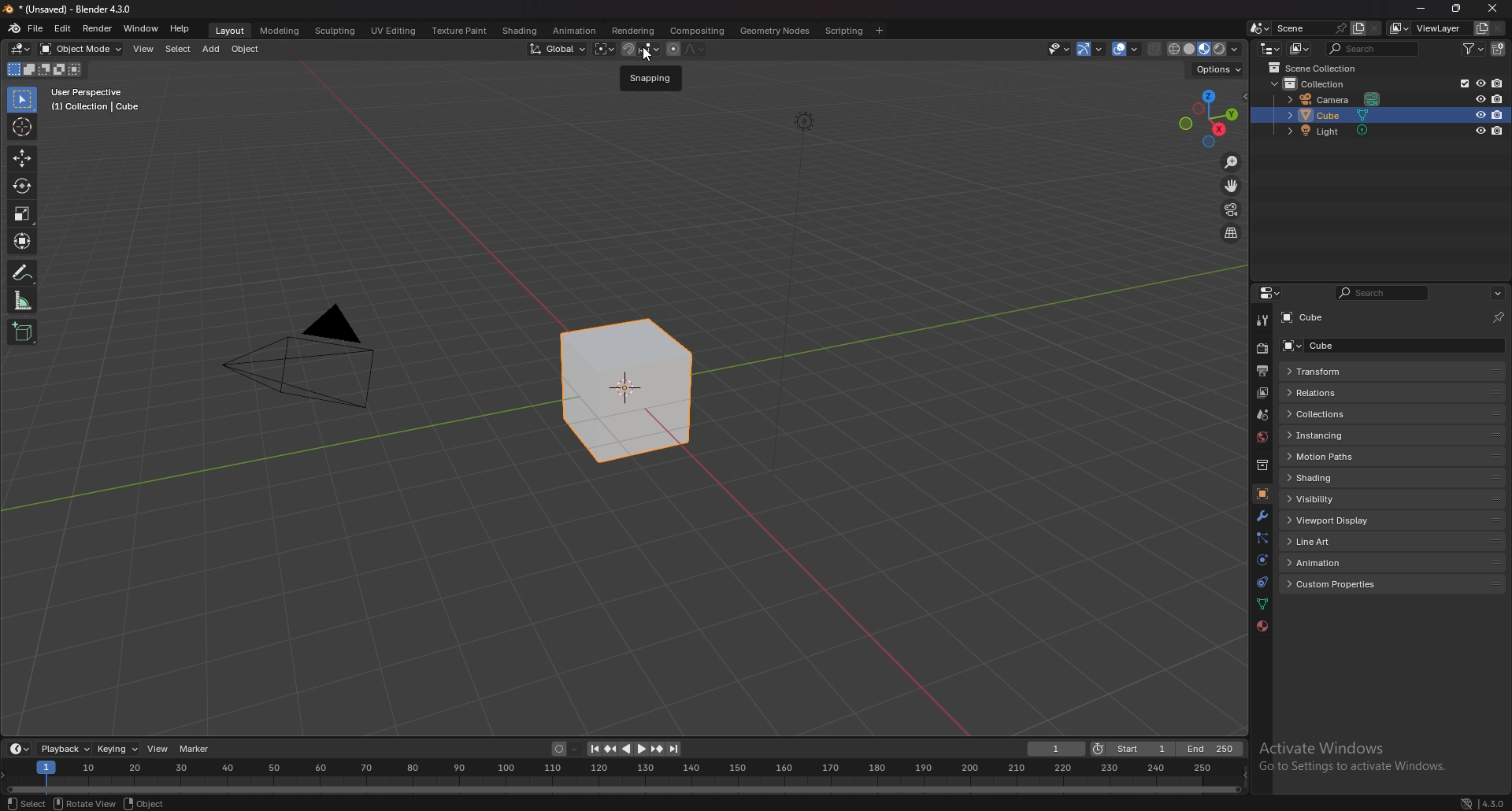 Image resolution: width=1512 pixels, height=811 pixels. I want to click on file, so click(36, 28).